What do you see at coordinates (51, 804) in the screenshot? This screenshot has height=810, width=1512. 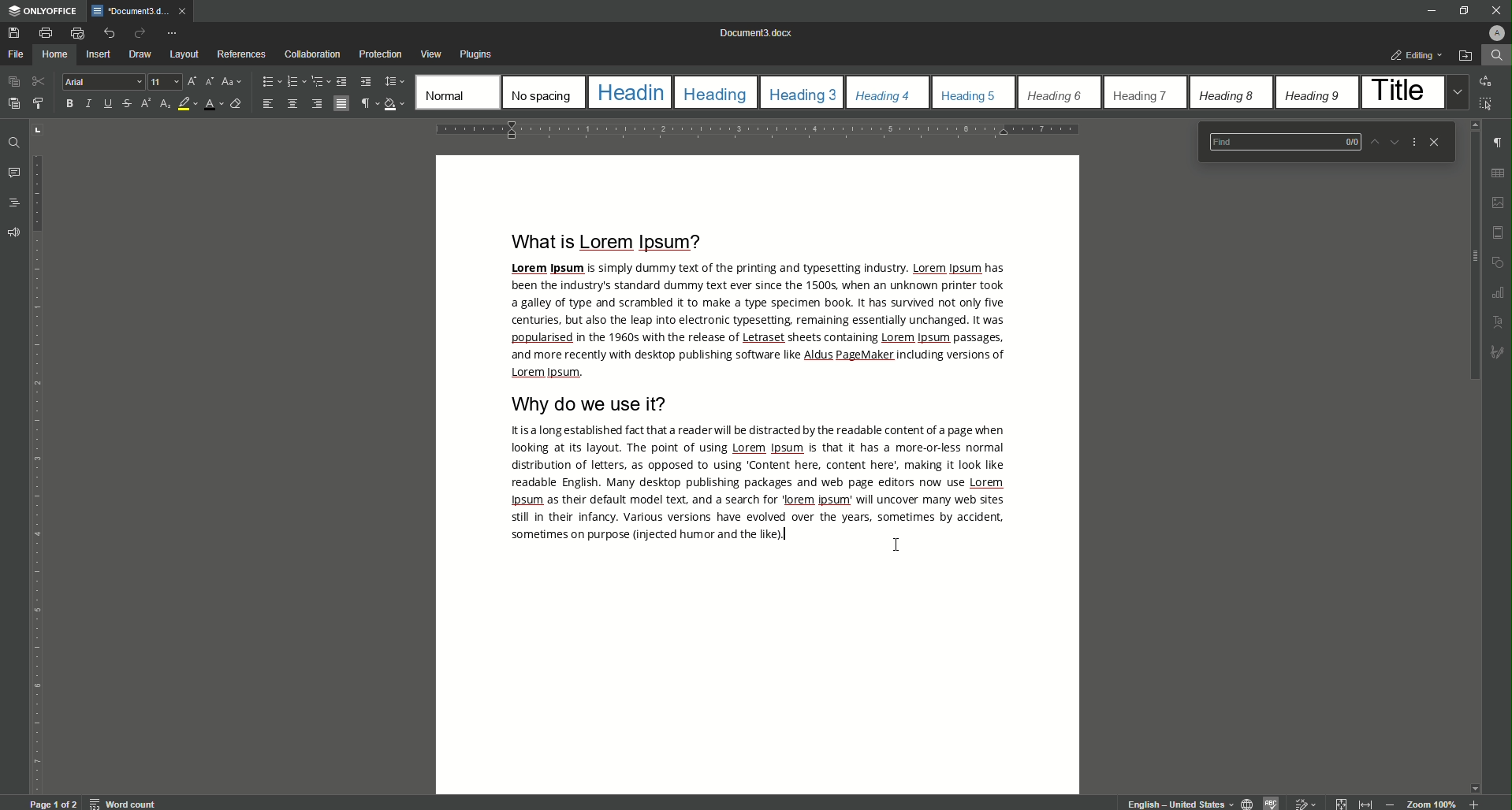 I see `Page 1 of 2` at bounding box center [51, 804].